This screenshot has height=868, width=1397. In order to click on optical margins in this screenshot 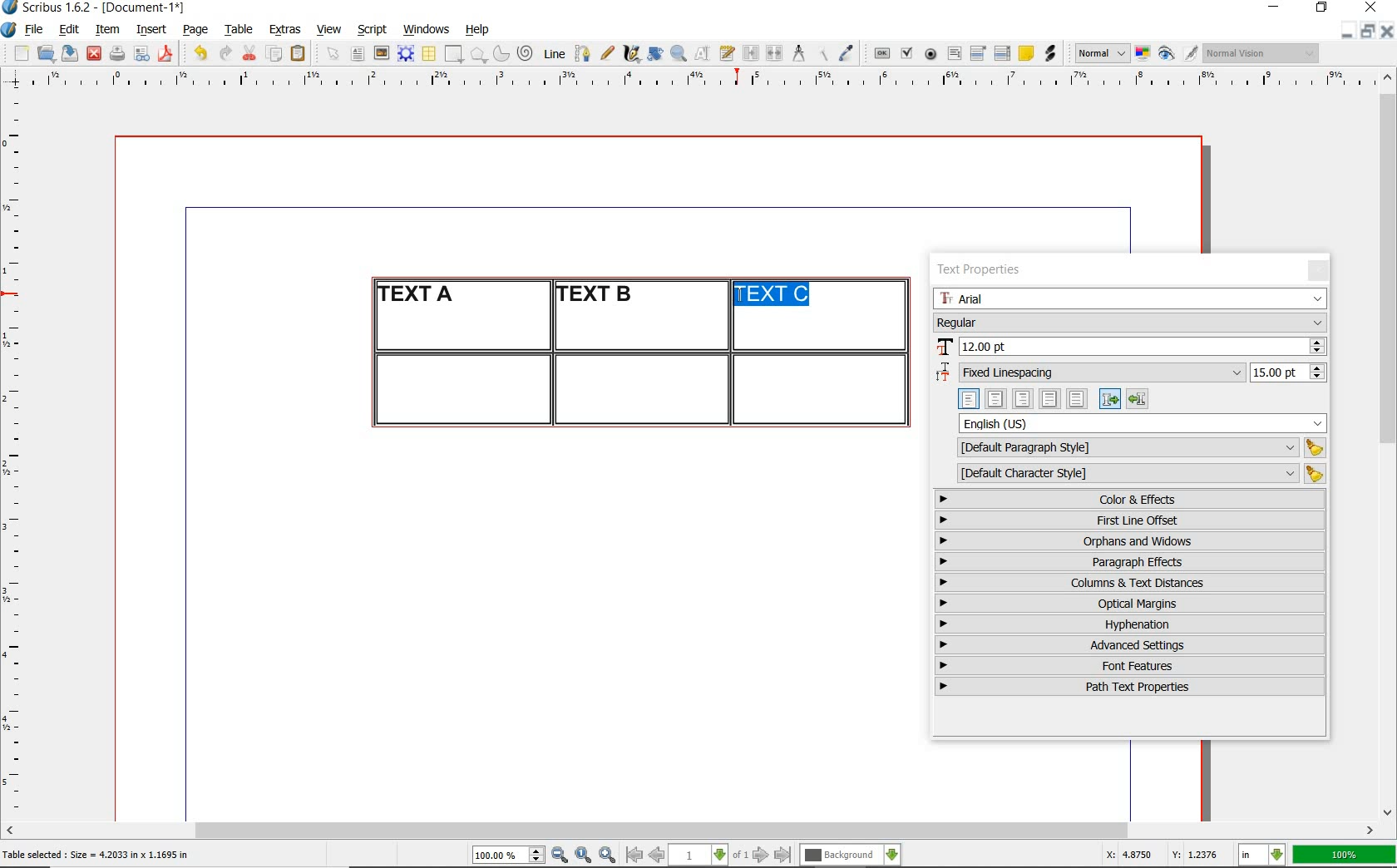, I will do `click(1131, 604)`.